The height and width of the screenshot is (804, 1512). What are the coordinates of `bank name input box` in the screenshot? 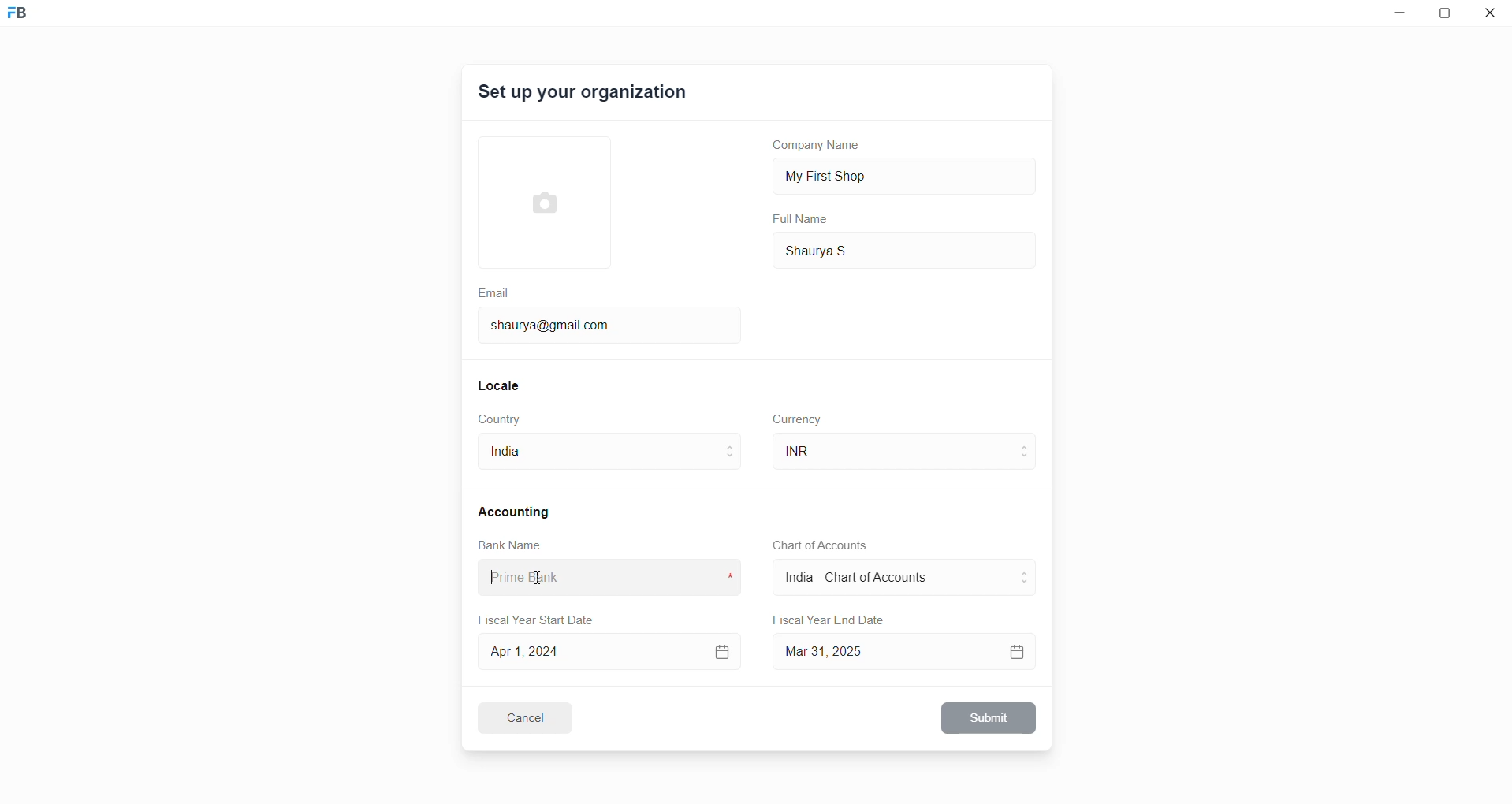 It's located at (603, 578).